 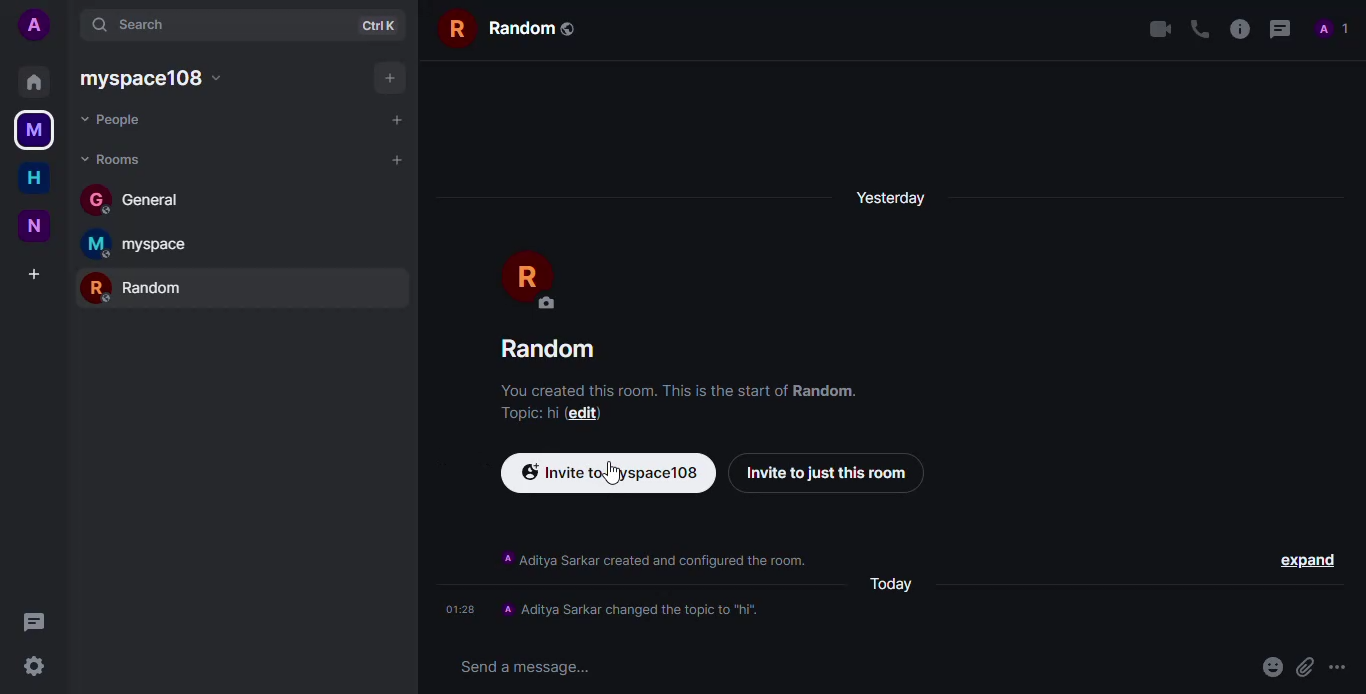 I want to click on edit, so click(x=588, y=413).